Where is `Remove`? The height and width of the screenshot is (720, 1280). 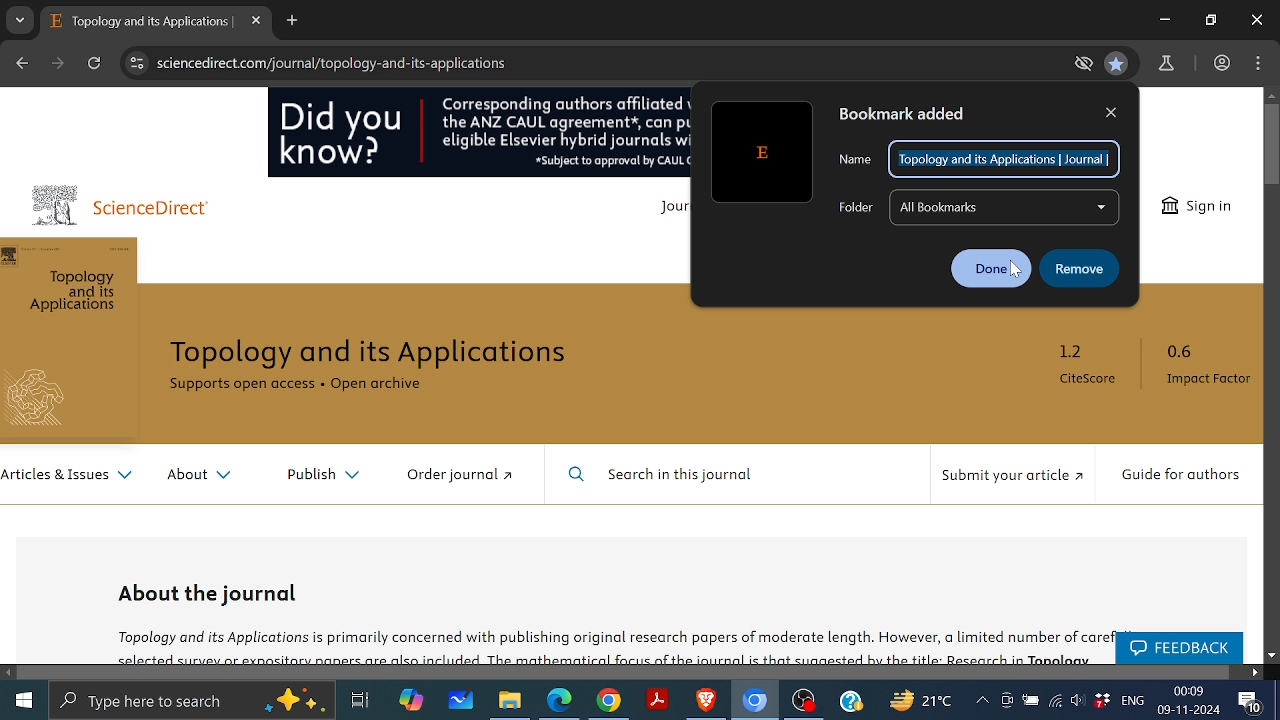
Remove is located at coordinates (1079, 268).